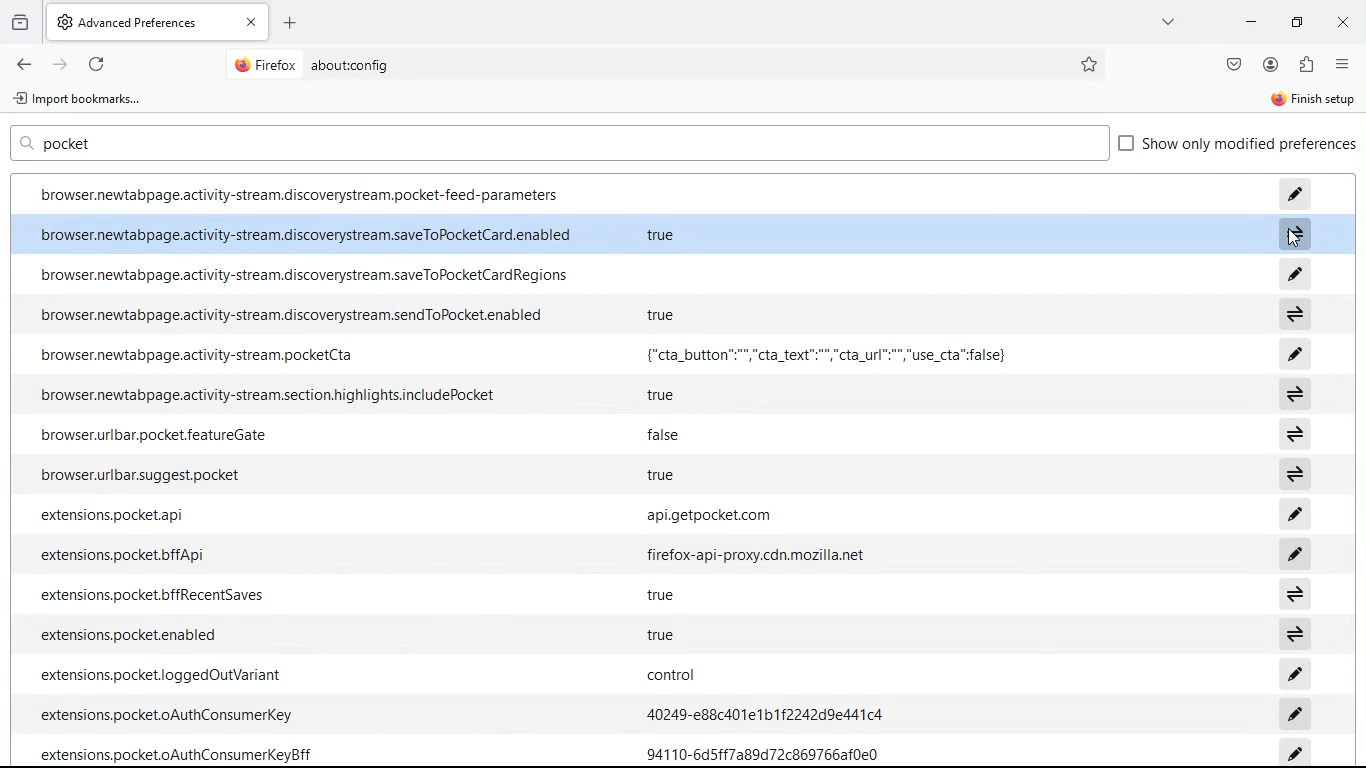 This screenshot has height=768, width=1366. I want to click on edit, so click(1297, 555).